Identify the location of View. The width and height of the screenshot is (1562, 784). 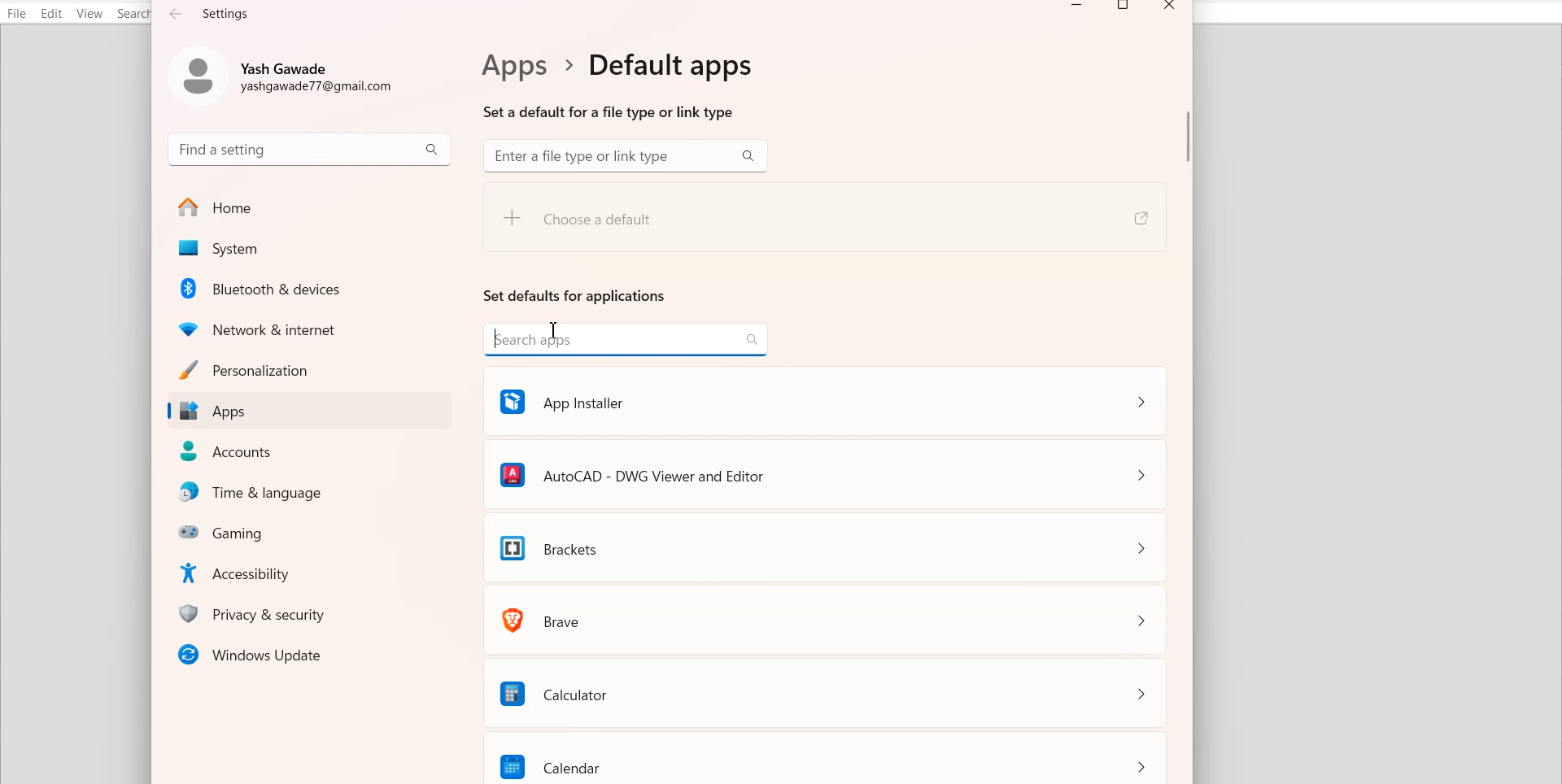
(89, 14).